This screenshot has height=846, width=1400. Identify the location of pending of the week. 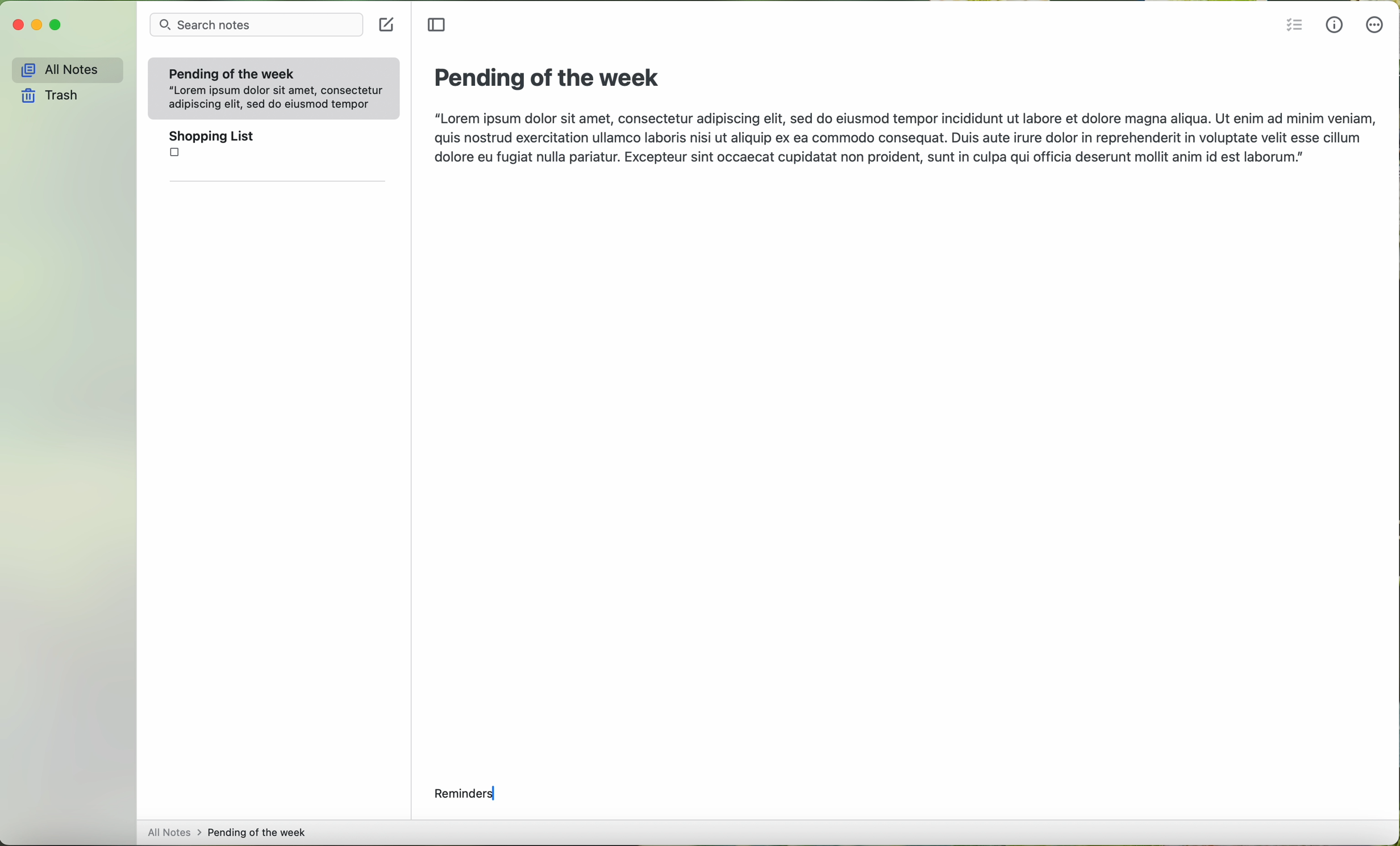
(546, 78).